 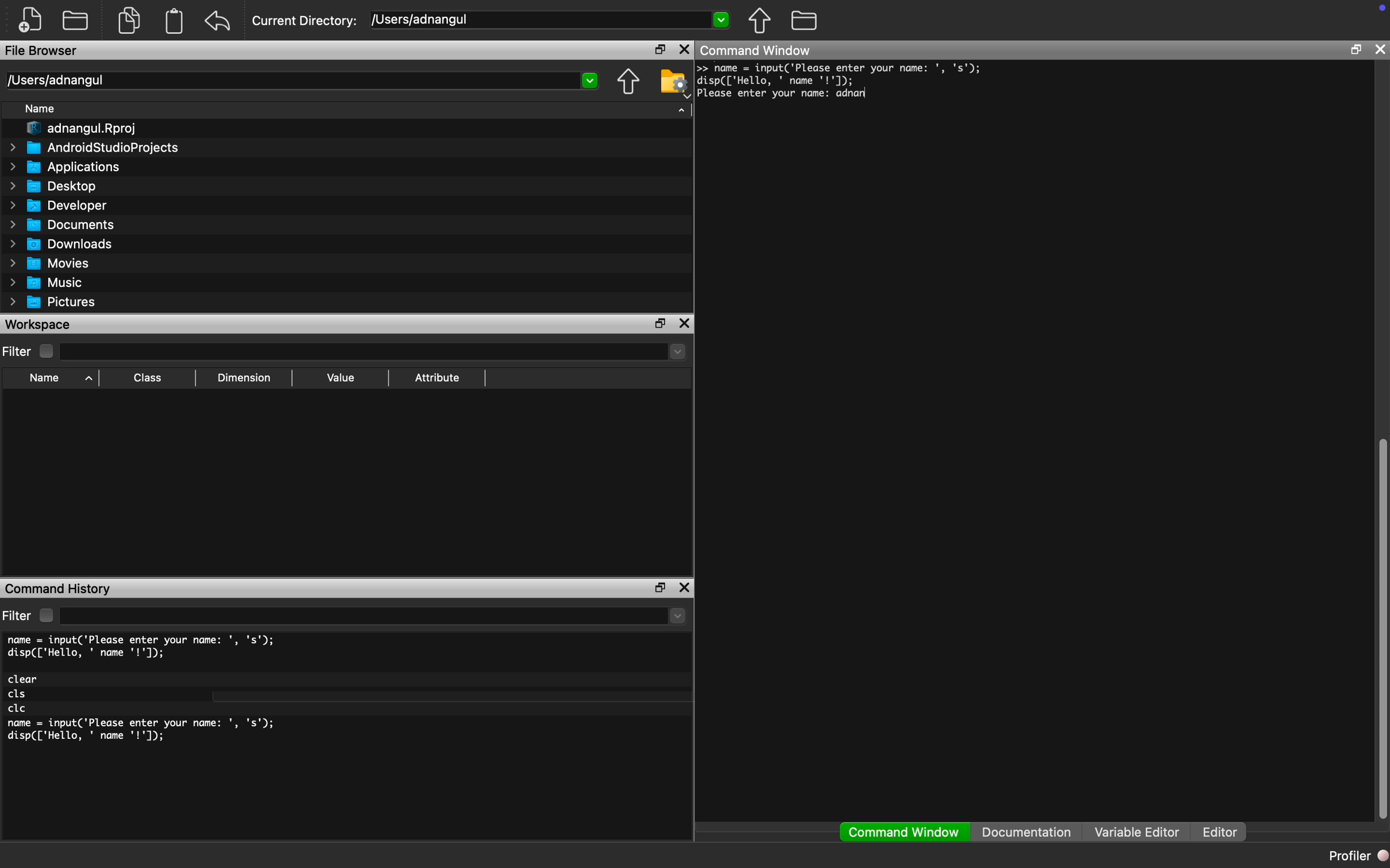 What do you see at coordinates (843, 74) in the screenshot?
I see `yao = input('Please enter your name: ', ipl
en ([lHello. "name '!'1):` at bounding box center [843, 74].